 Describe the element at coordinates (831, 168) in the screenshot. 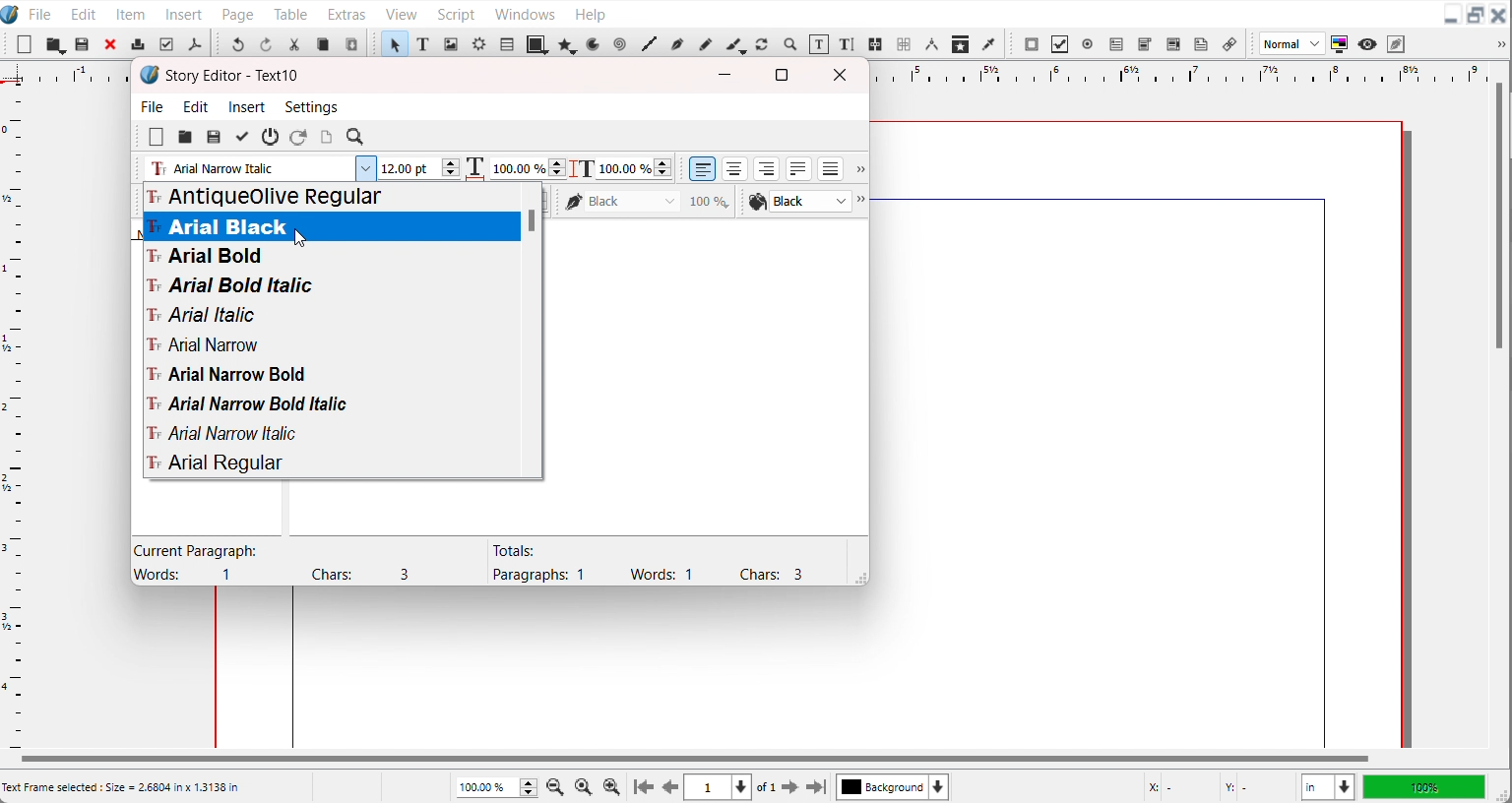

I see `Align text forced Justified` at that location.